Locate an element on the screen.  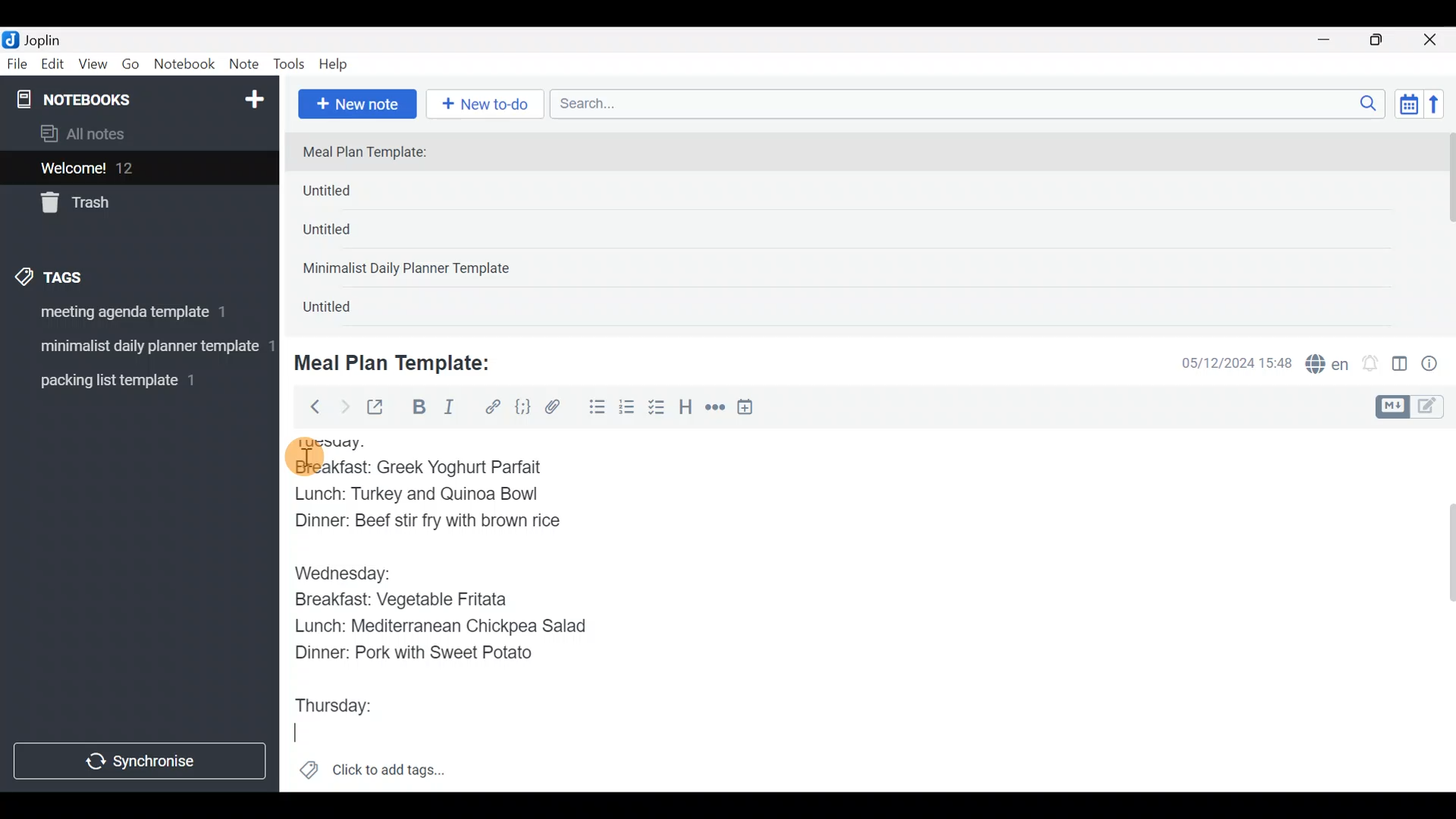
Forward is located at coordinates (344, 406).